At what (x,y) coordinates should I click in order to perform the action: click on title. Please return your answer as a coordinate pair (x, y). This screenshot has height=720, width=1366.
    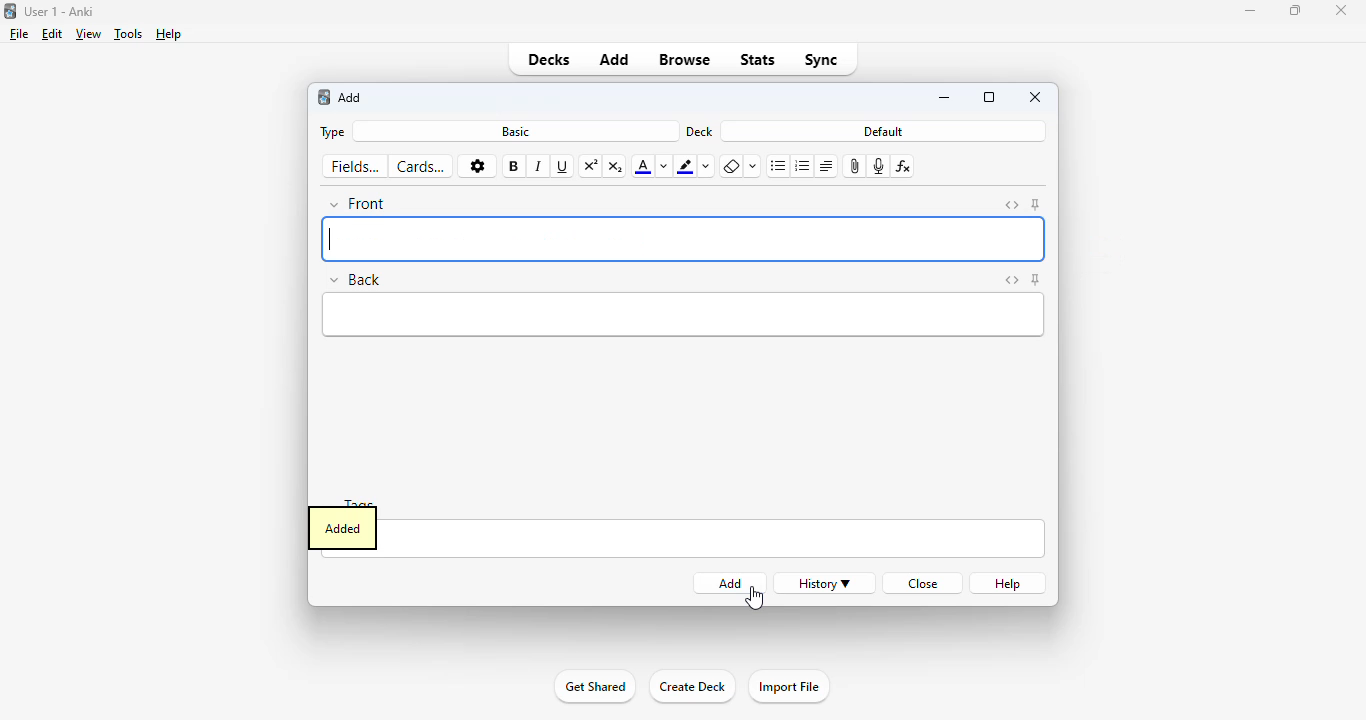
    Looking at the image, I should click on (60, 11).